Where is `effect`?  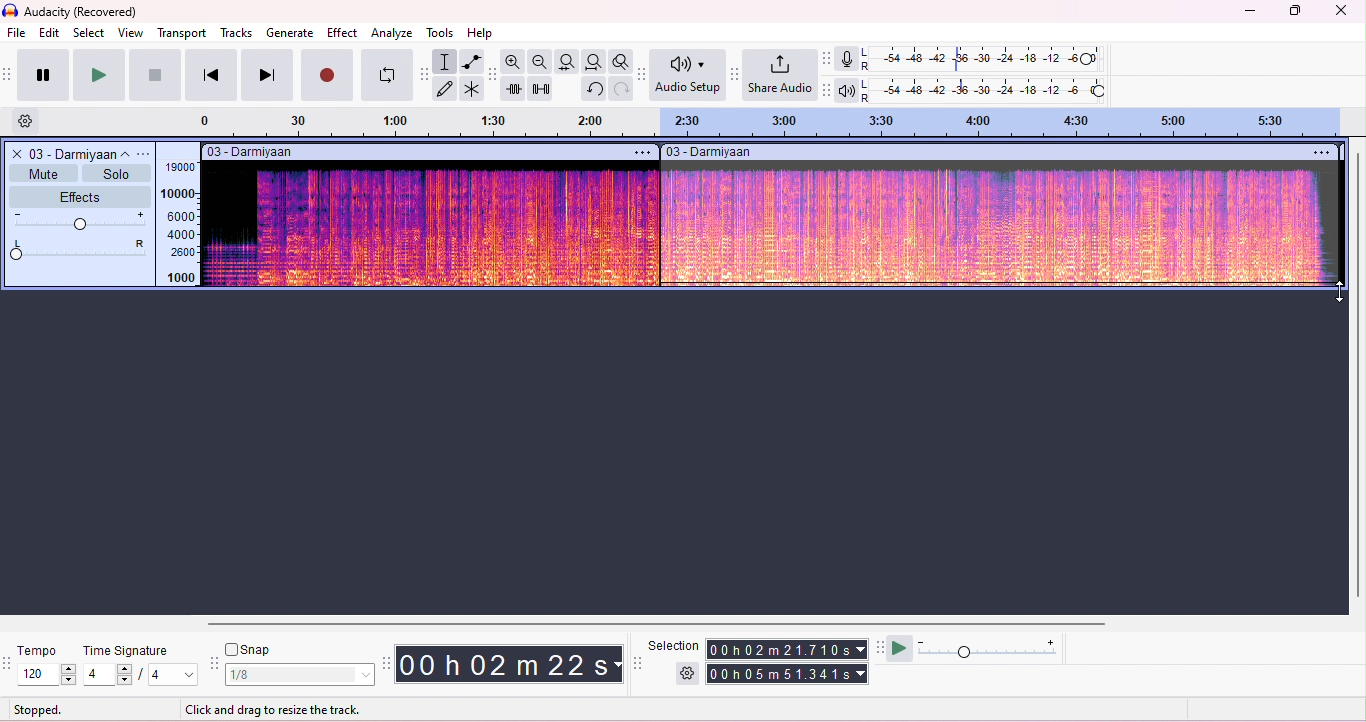
effect is located at coordinates (342, 34).